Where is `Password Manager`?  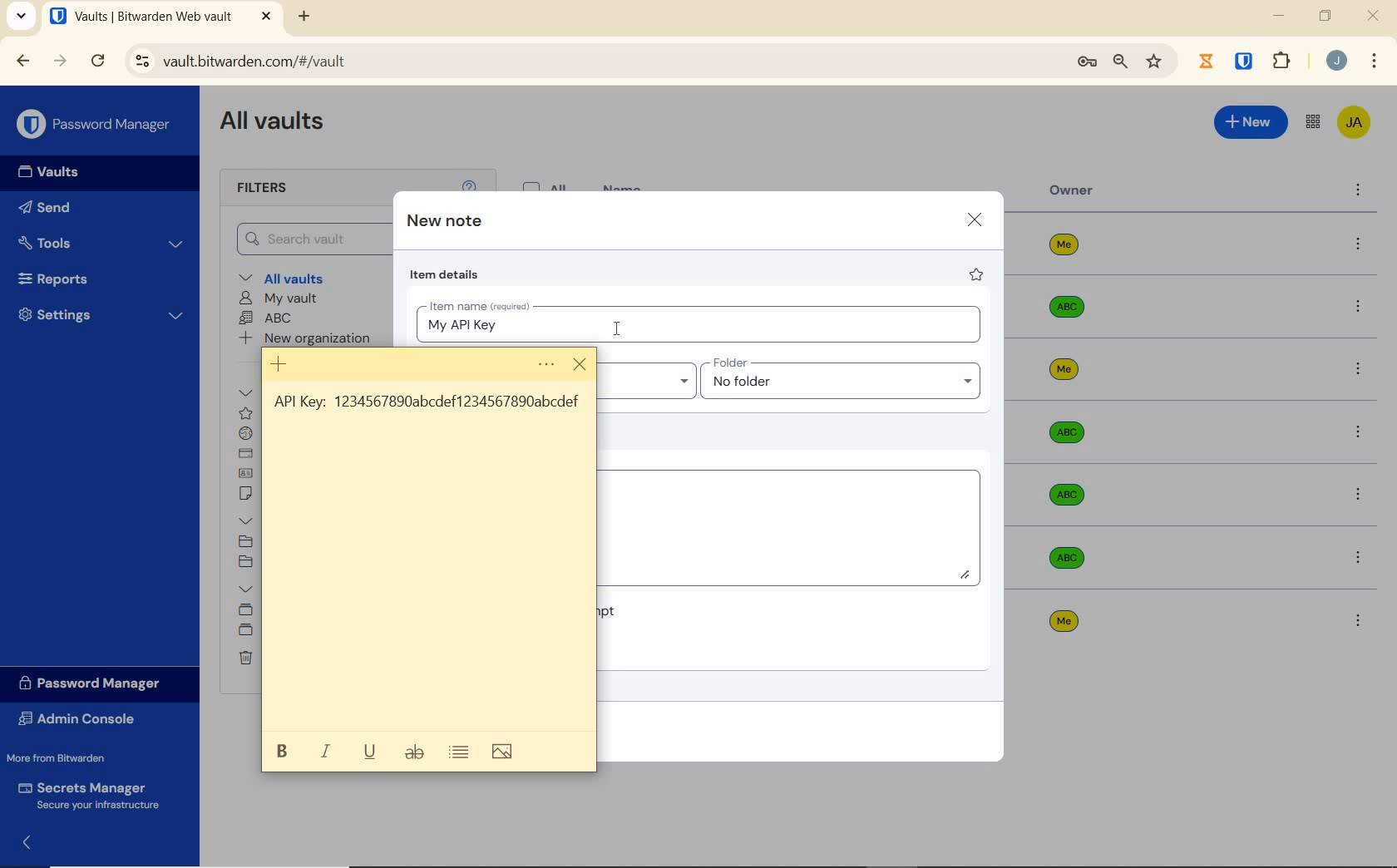
Password Manager is located at coordinates (96, 123).